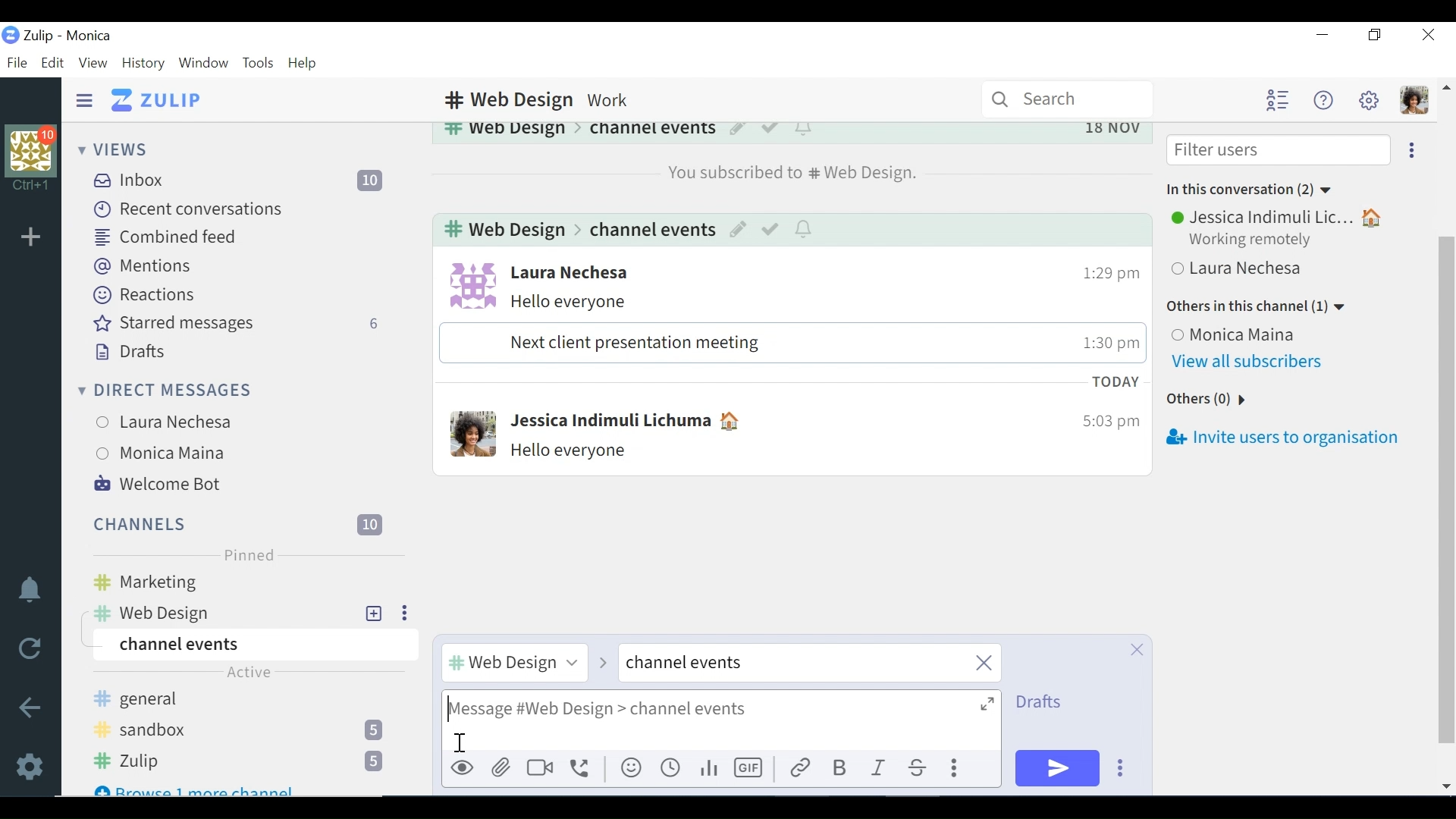 The width and height of the screenshot is (1456, 819). Describe the element at coordinates (128, 350) in the screenshot. I see `Drafts` at that location.